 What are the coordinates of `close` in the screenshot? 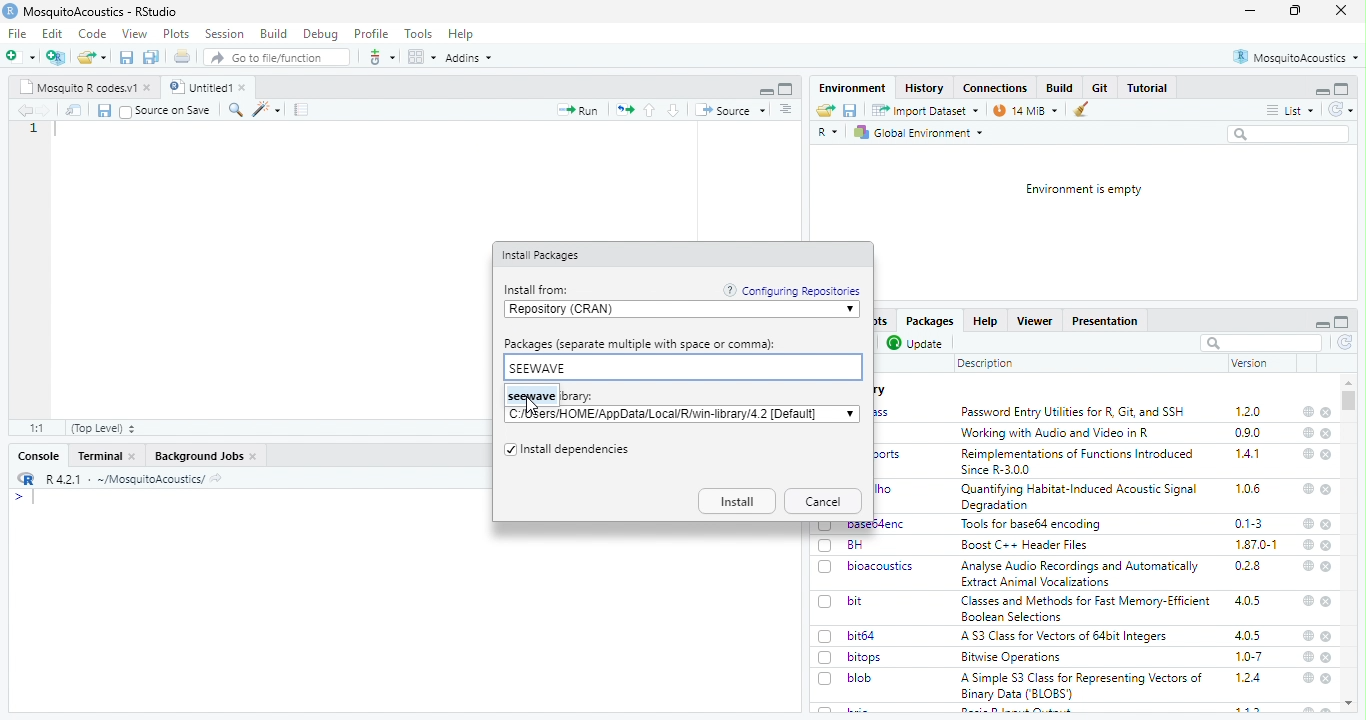 It's located at (133, 456).